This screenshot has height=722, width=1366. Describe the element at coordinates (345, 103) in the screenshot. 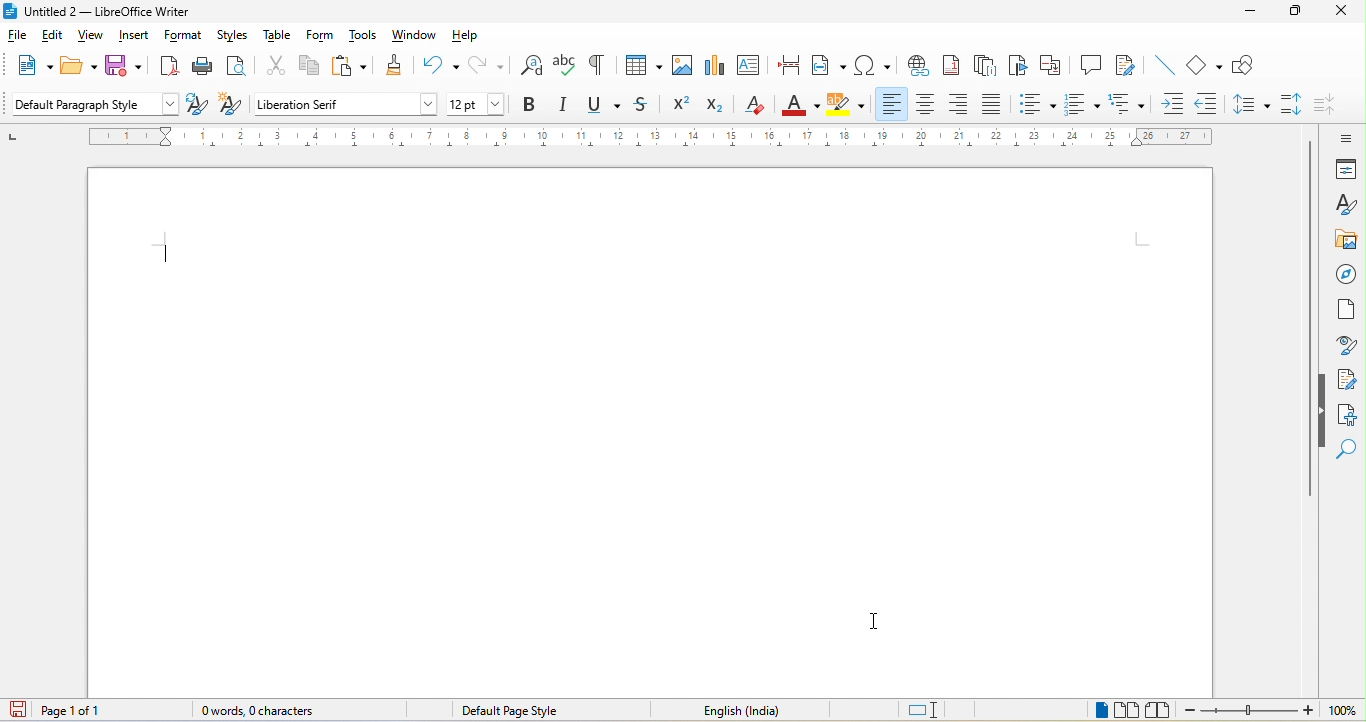

I see `font name` at that location.